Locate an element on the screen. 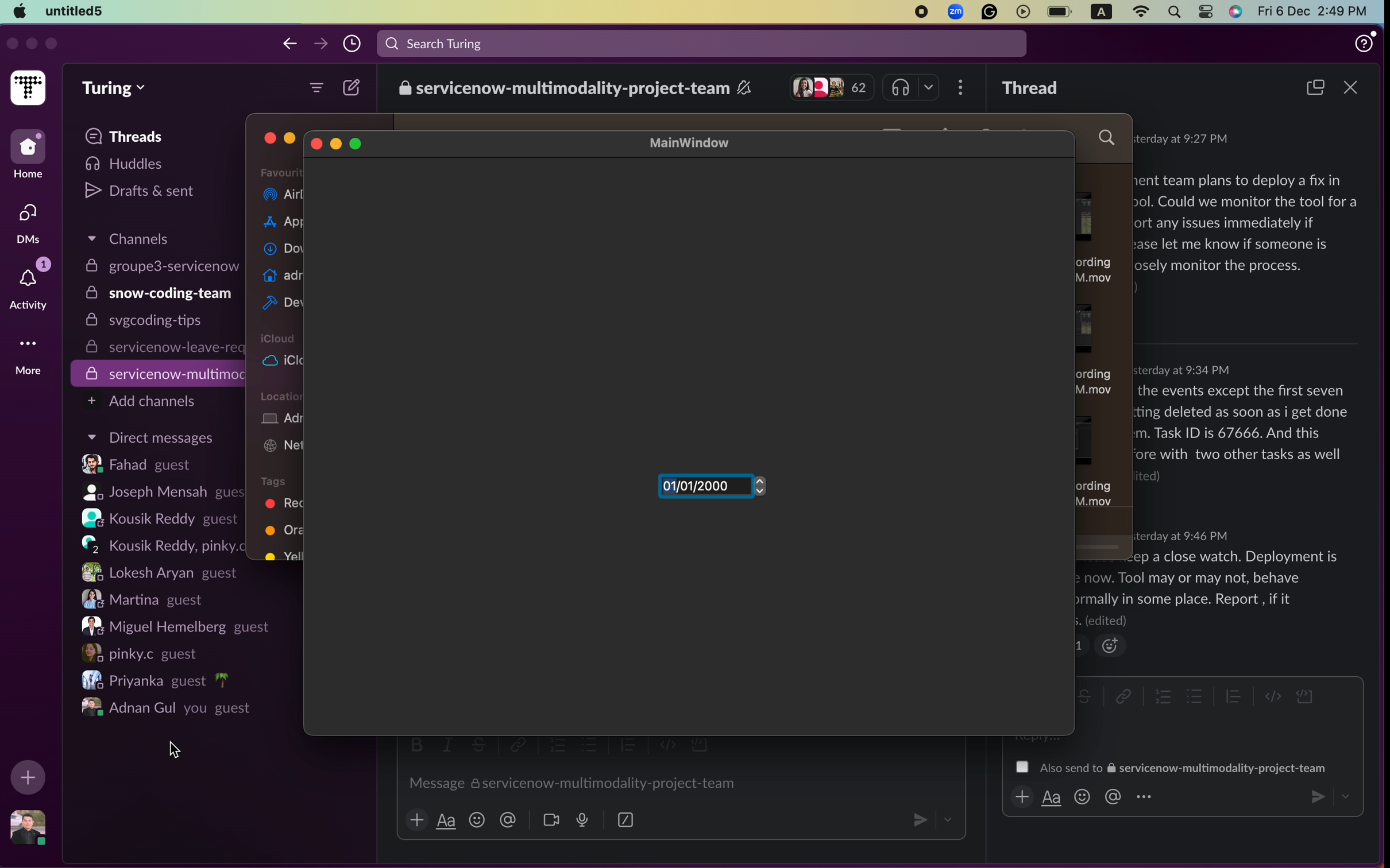 Image resolution: width=1390 pixels, height=868 pixels. battery is located at coordinates (1060, 10).